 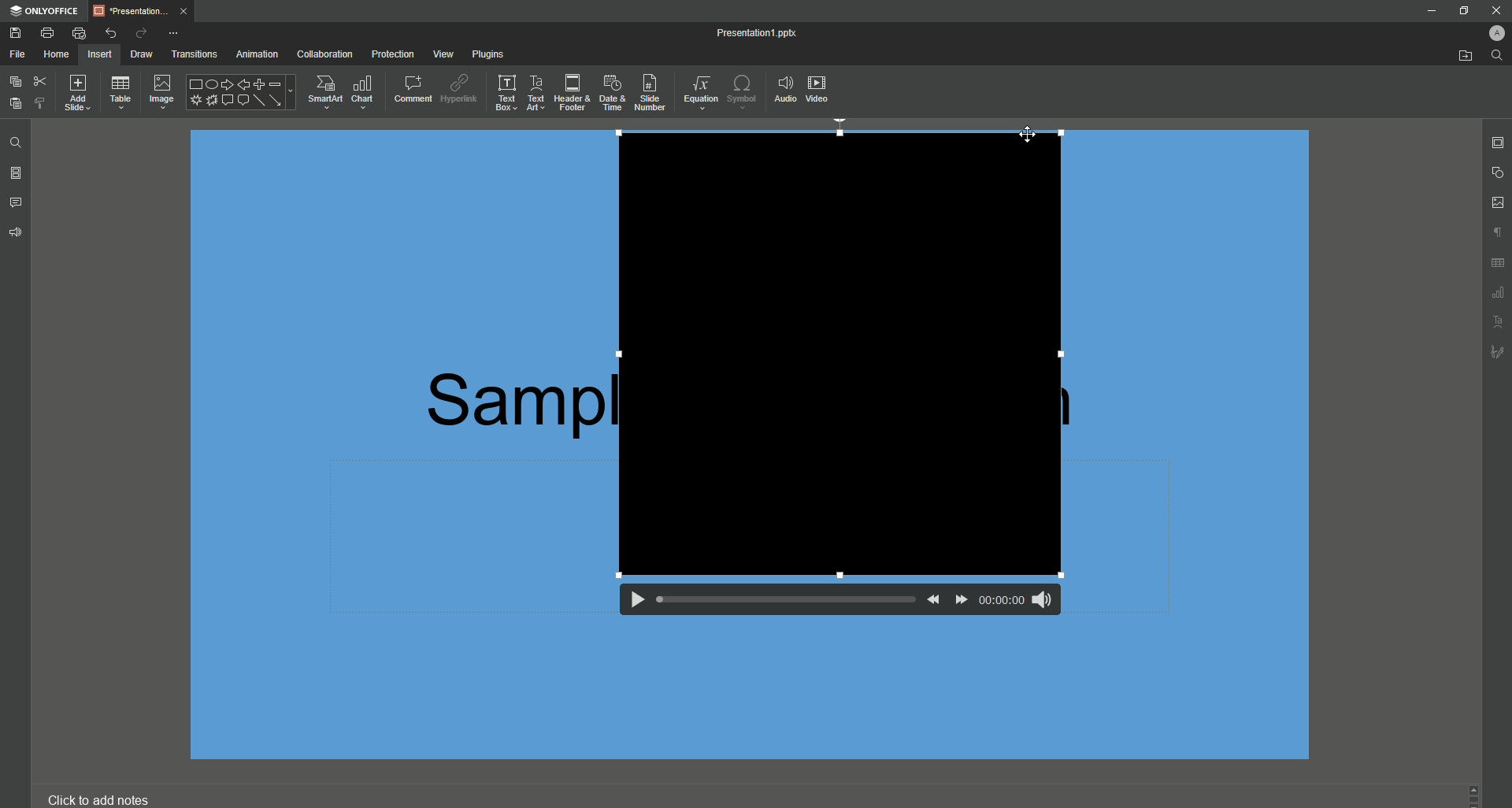 What do you see at coordinates (177, 33) in the screenshot?
I see `More Options` at bounding box center [177, 33].